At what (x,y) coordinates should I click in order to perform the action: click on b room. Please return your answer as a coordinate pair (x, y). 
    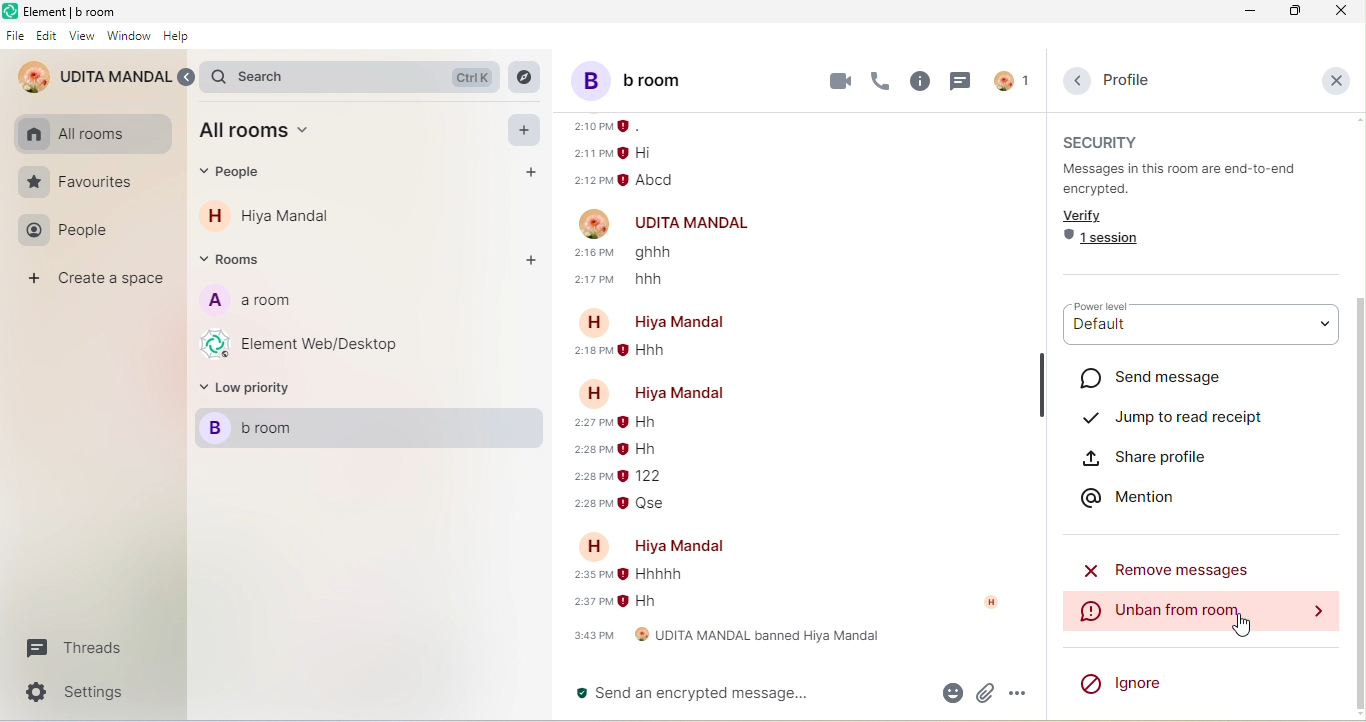
    Looking at the image, I should click on (373, 430).